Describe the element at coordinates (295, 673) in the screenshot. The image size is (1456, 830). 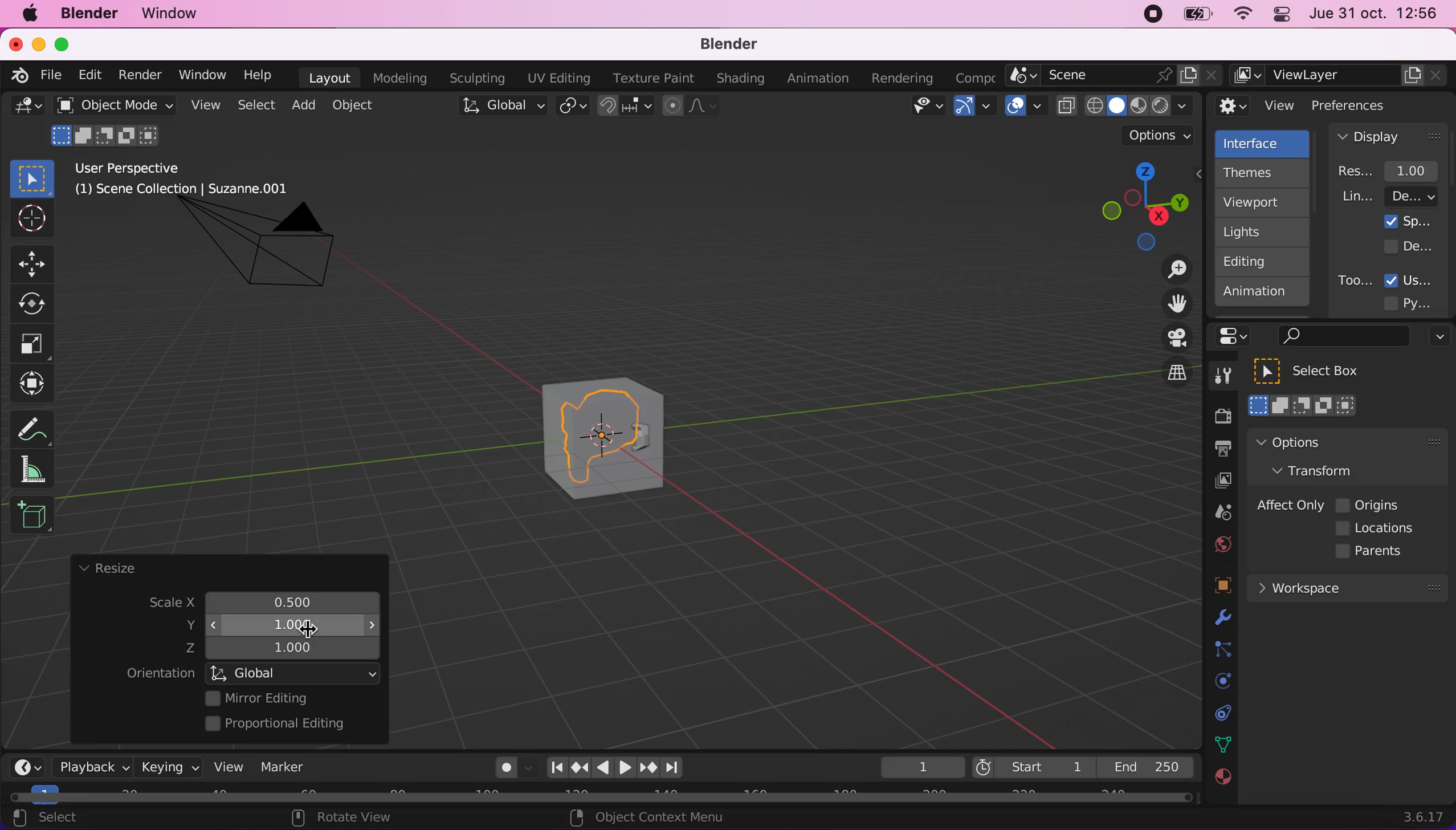
I see `global` at that location.